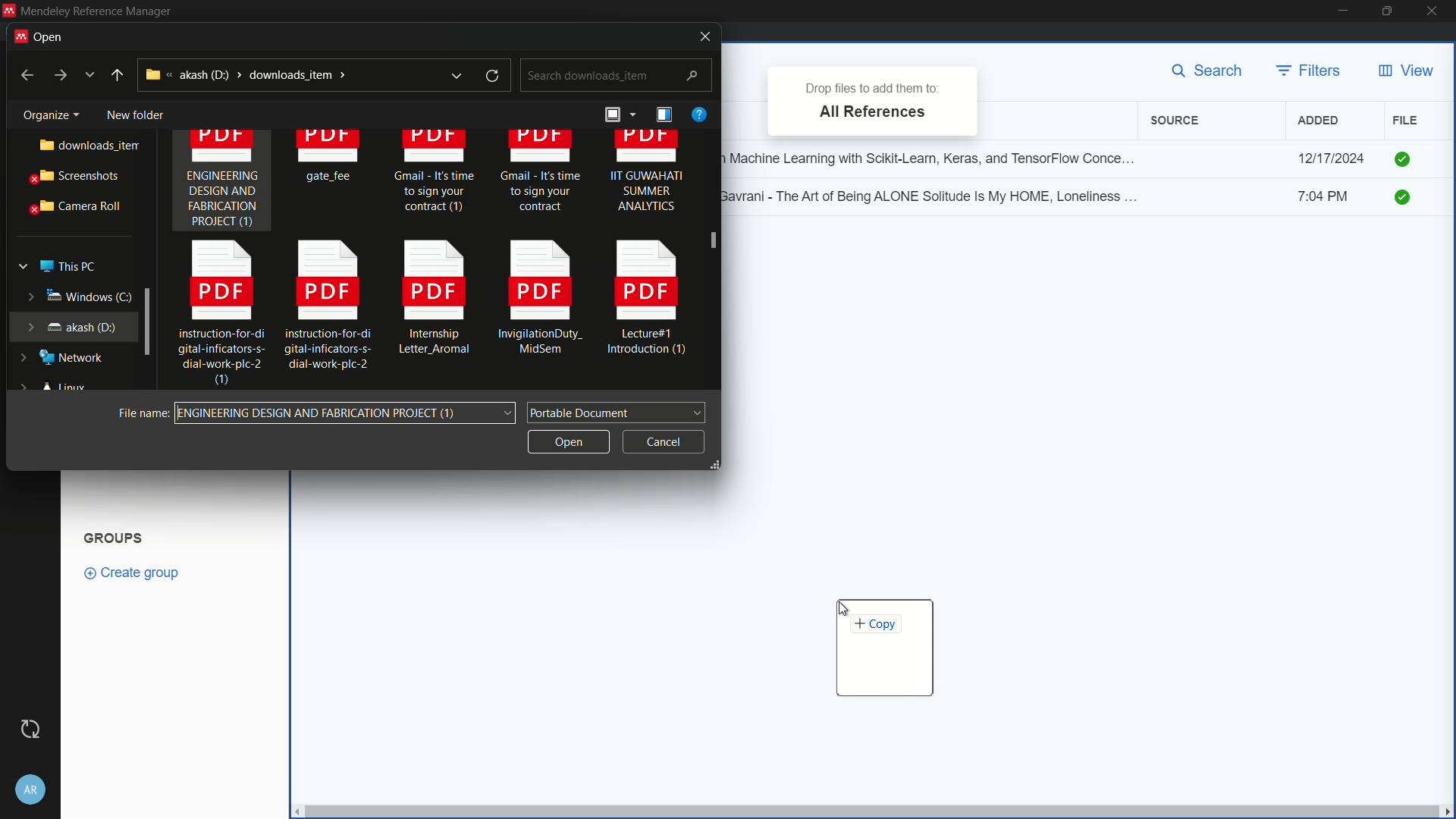 This screenshot has width=1456, height=819. What do you see at coordinates (72, 207) in the screenshot?
I see `camera roll` at bounding box center [72, 207].